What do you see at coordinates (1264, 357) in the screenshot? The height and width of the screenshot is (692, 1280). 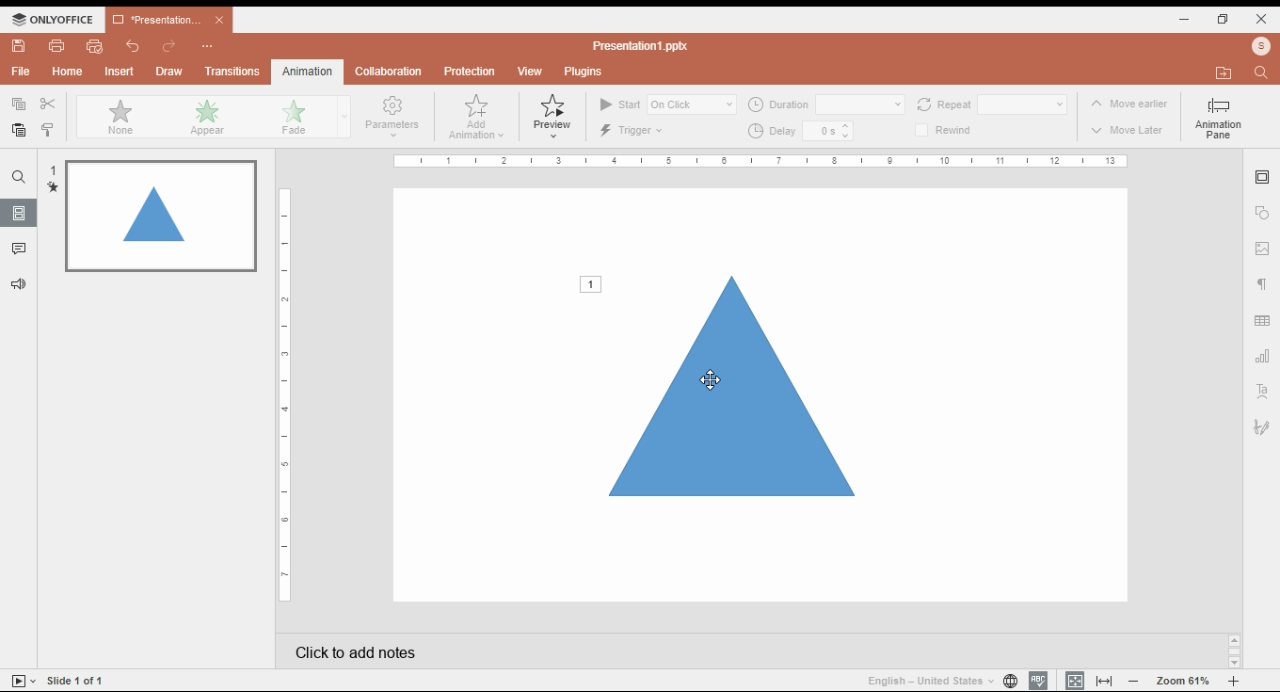 I see `chart settings` at bounding box center [1264, 357].